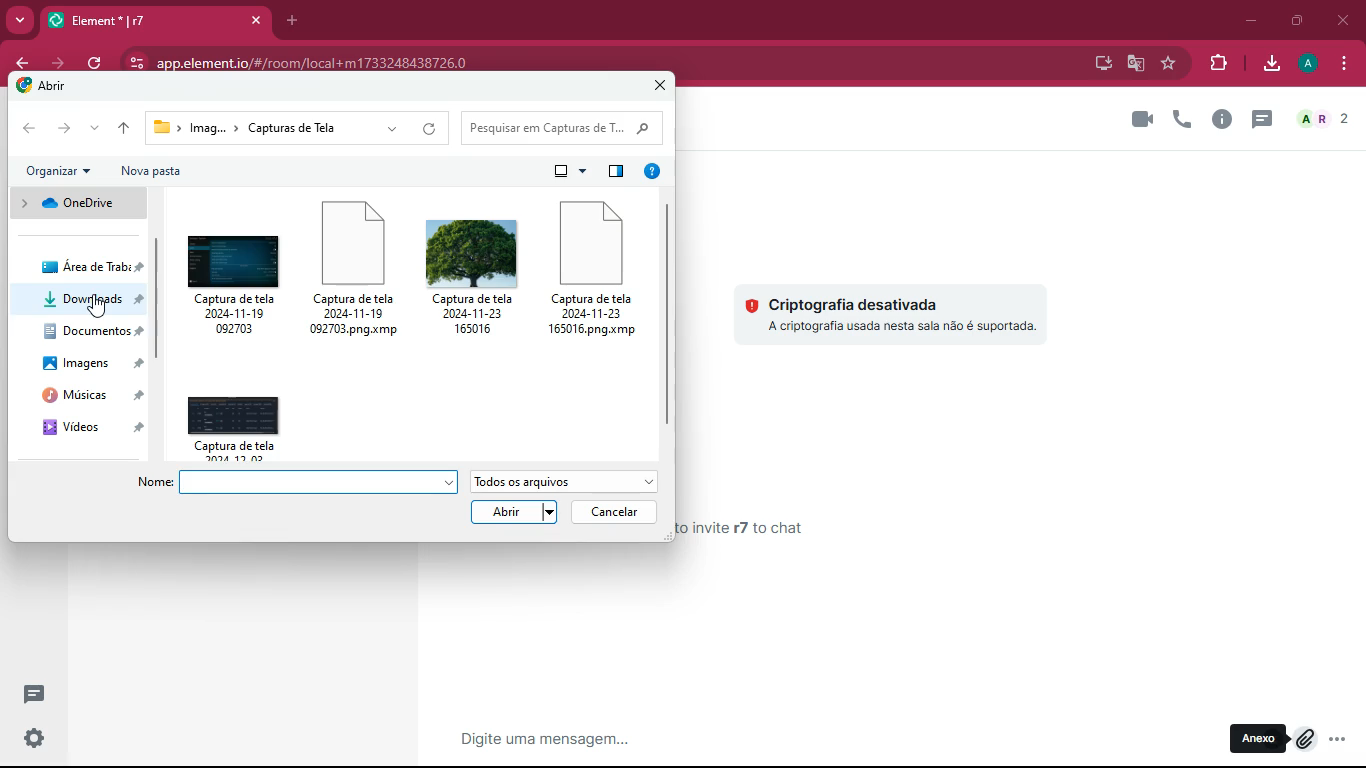 The width and height of the screenshot is (1366, 768). I want to click on arbir, so click(52, 92).